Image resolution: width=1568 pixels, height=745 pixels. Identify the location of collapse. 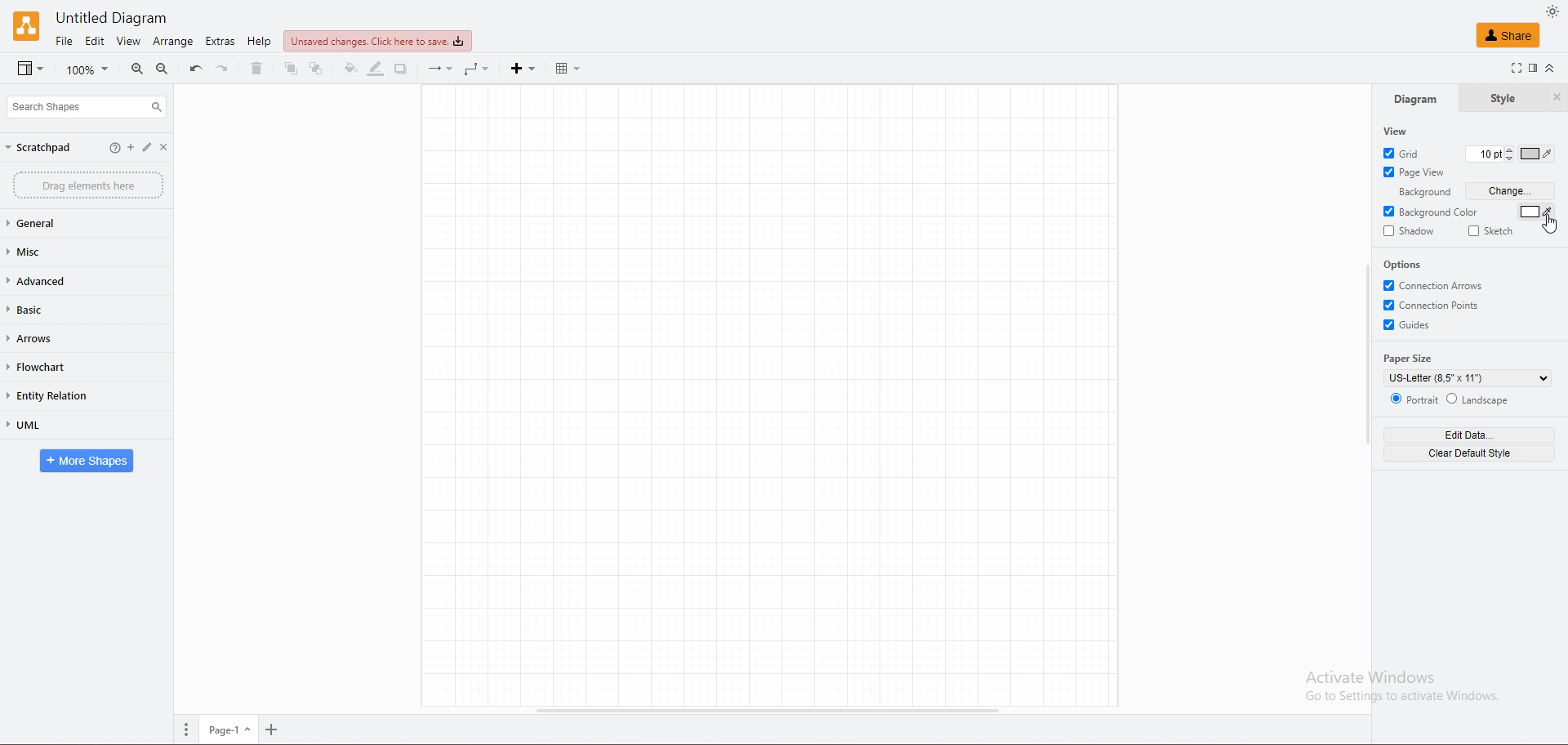
(1557, 69).